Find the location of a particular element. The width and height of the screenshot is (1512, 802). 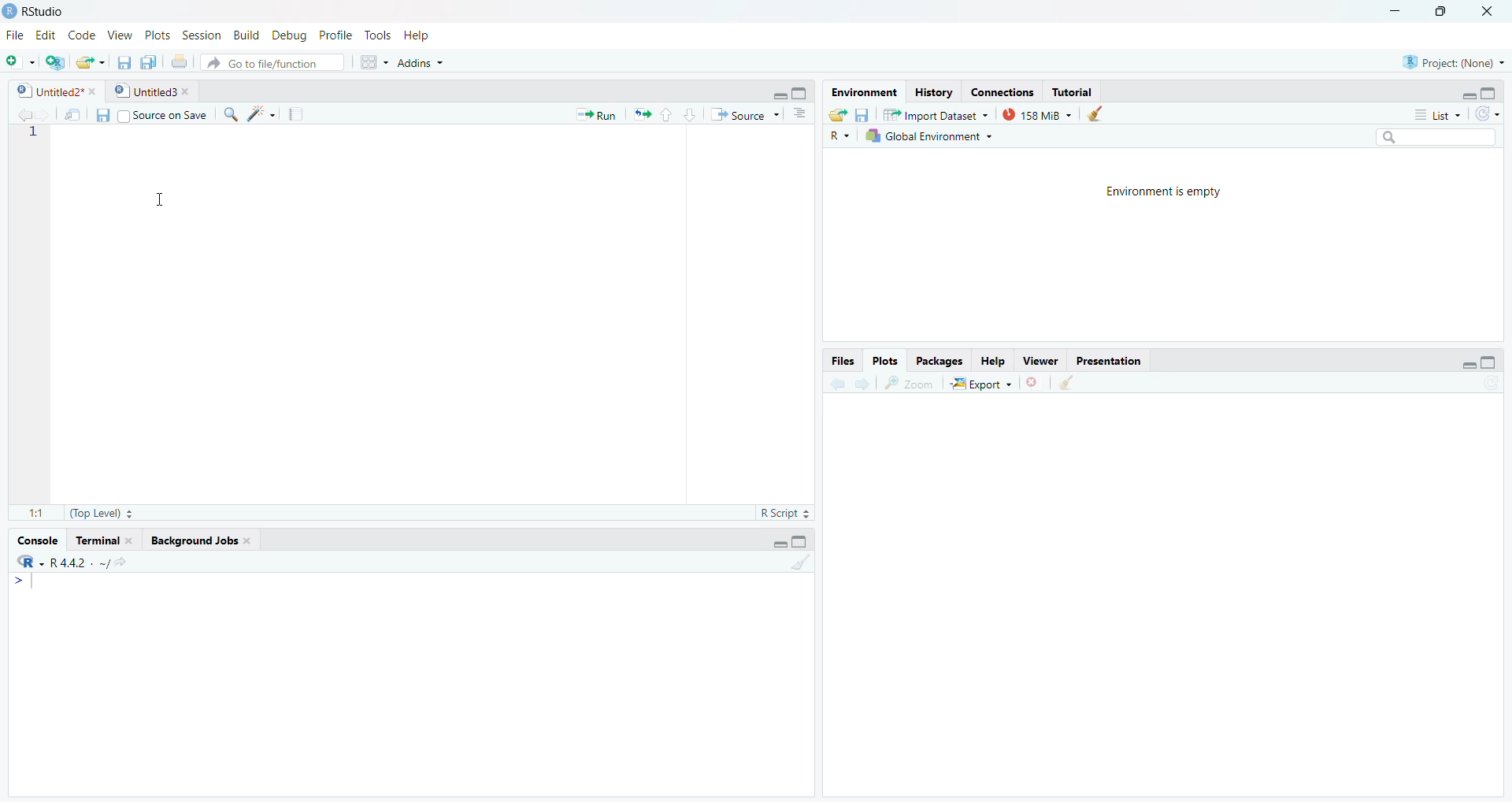

minimize/maximize is located at coordinates (1482, 92).